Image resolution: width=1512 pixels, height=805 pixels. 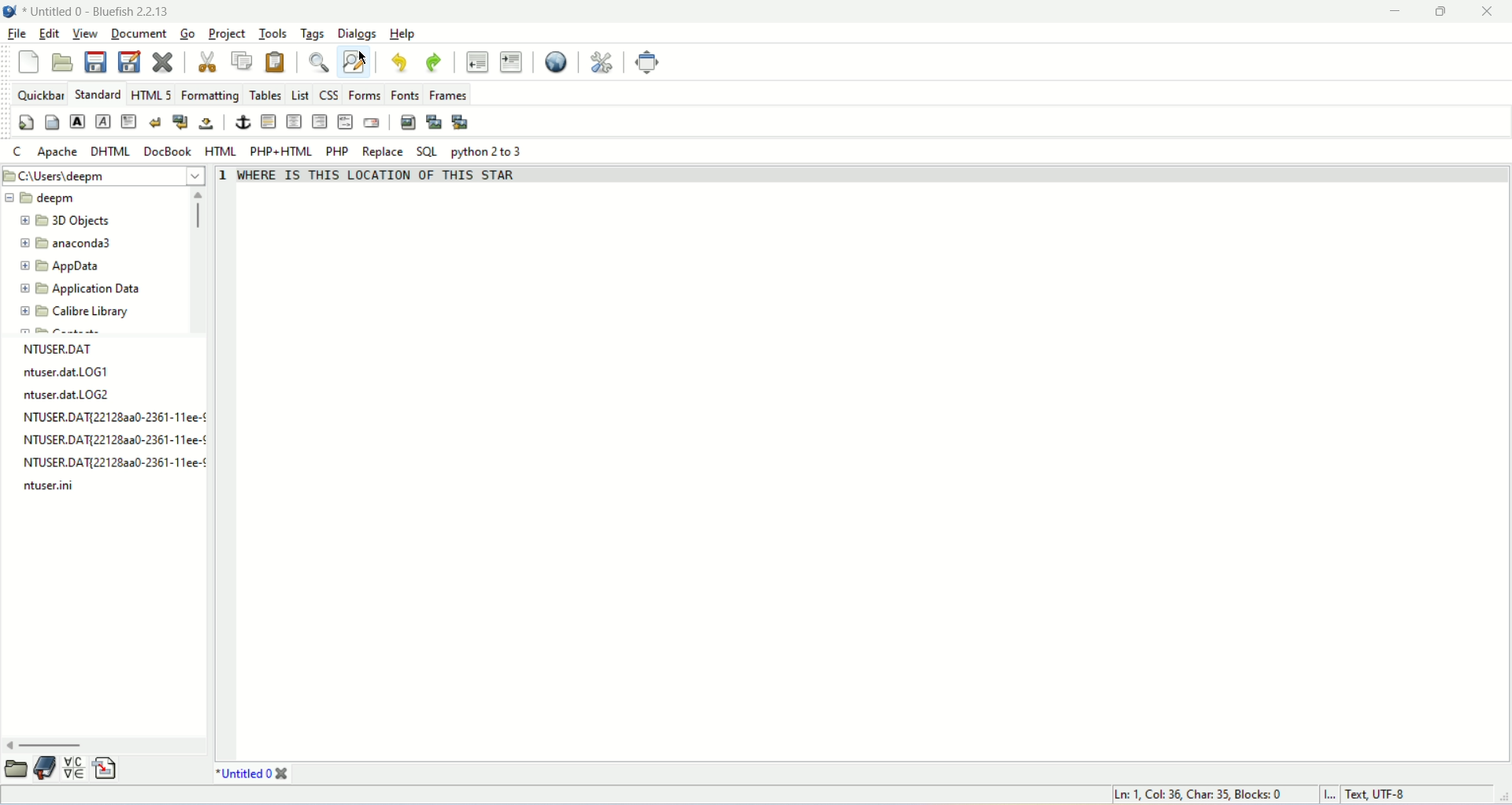 I want to click on scroll bar, so click(x=105, y=746).